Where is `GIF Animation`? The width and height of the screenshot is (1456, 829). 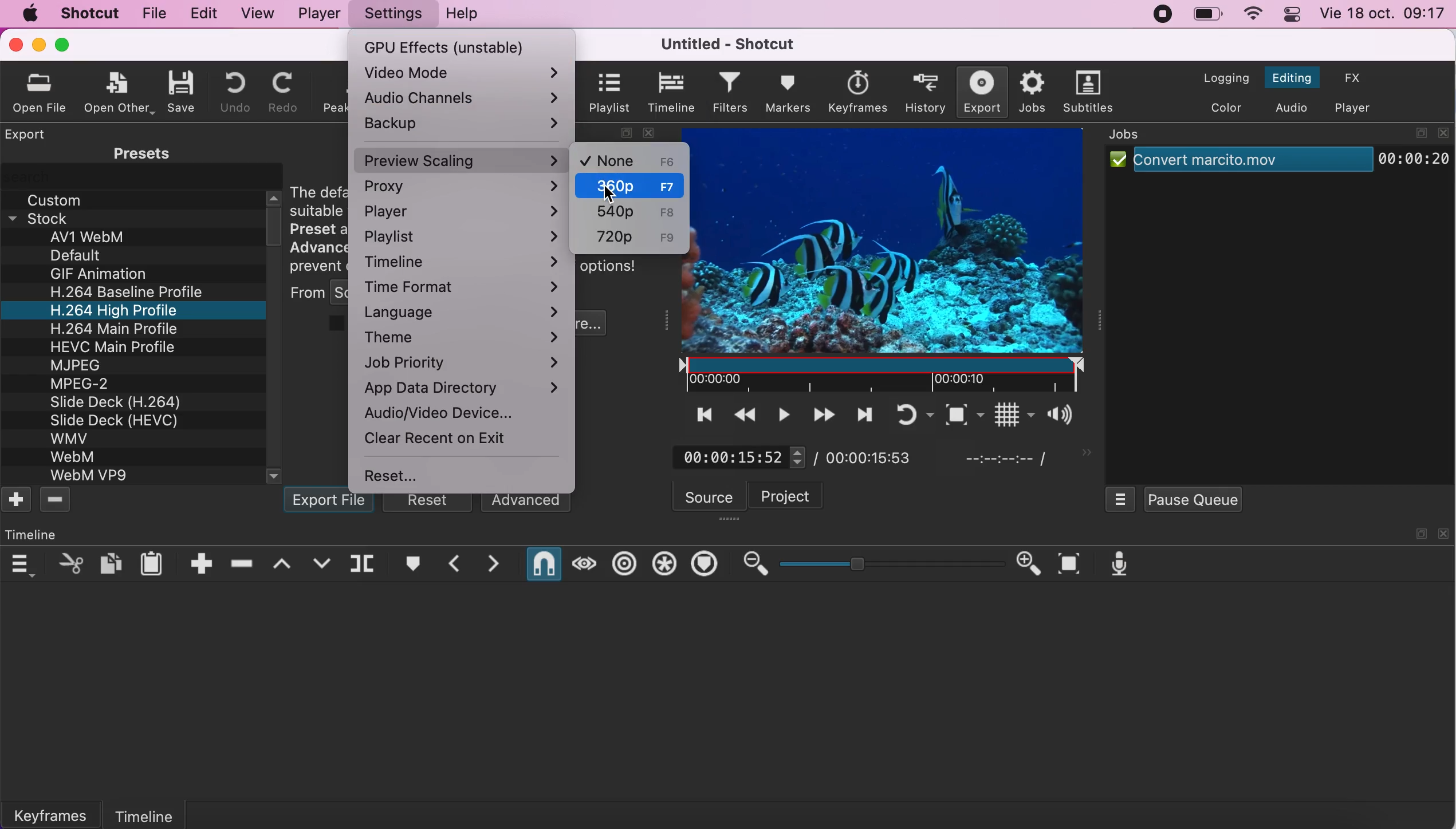
GIF Animation is located at coordinates (97, 274).